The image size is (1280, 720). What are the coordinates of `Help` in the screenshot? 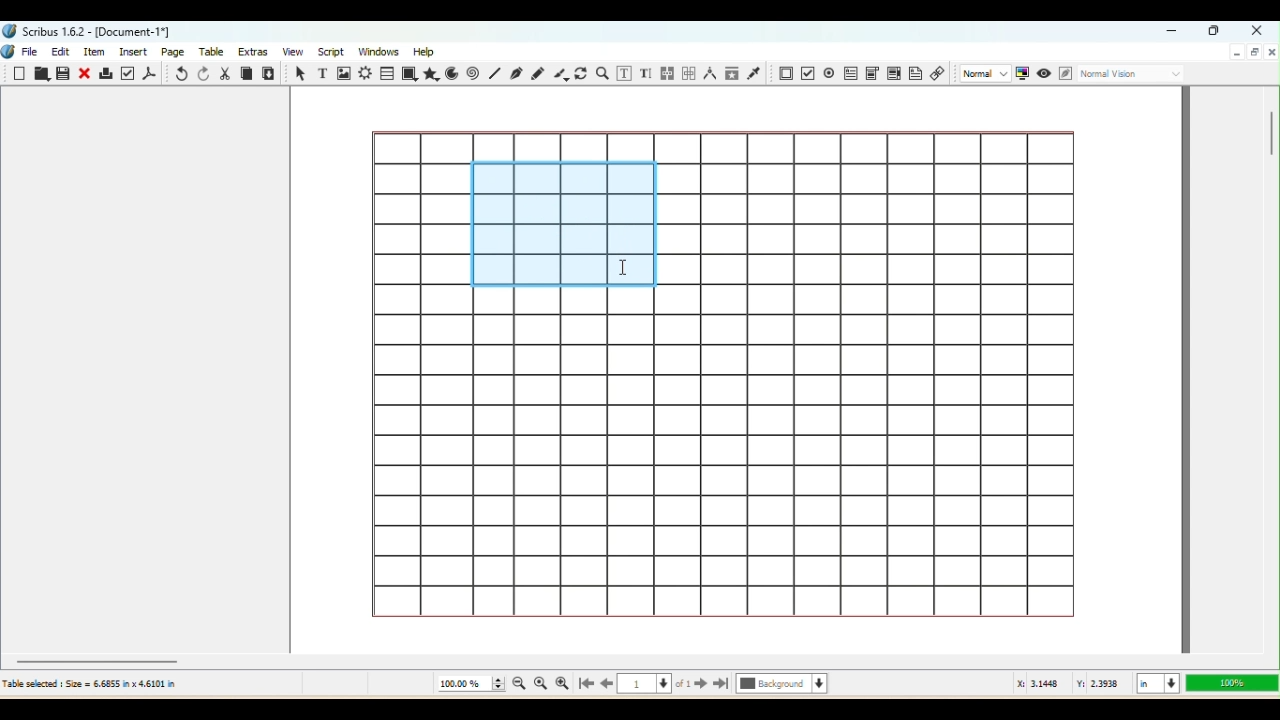 It's located at (426, 50).